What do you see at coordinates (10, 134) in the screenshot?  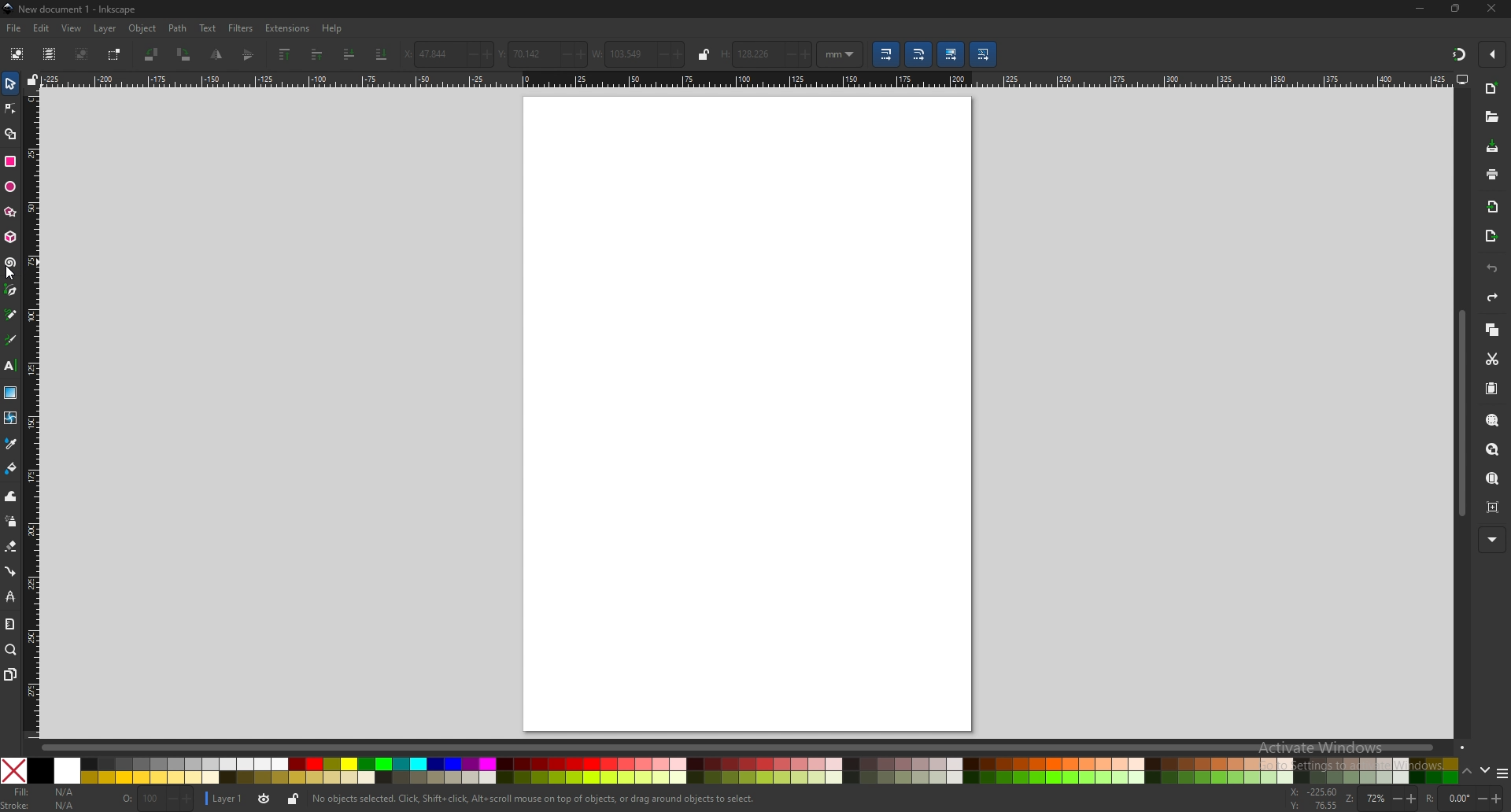 I see `shape builder` at bounding box center [10, 134].